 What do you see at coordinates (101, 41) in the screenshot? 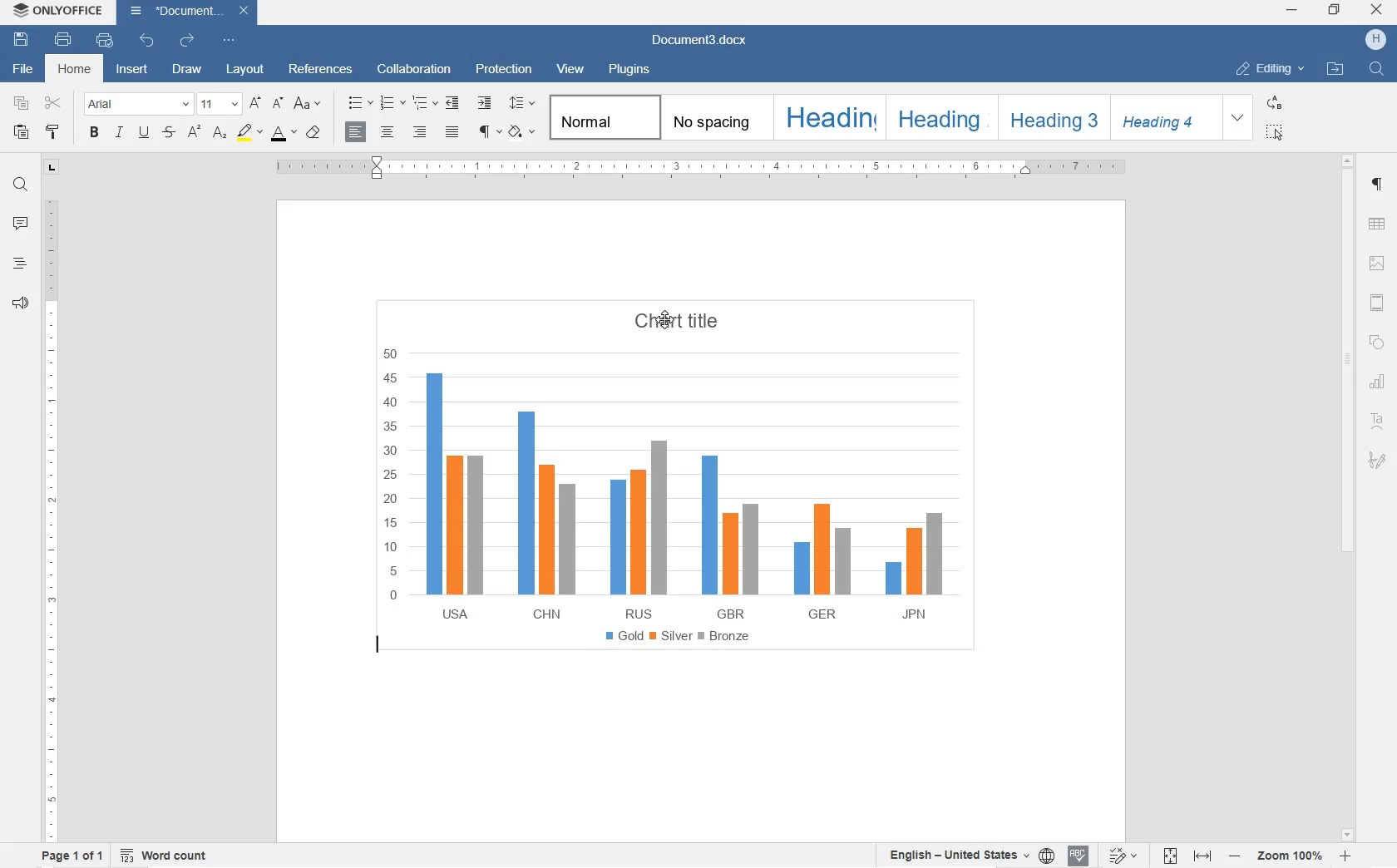
I see `QUICK PRINT` at bounding box center [101, 41].